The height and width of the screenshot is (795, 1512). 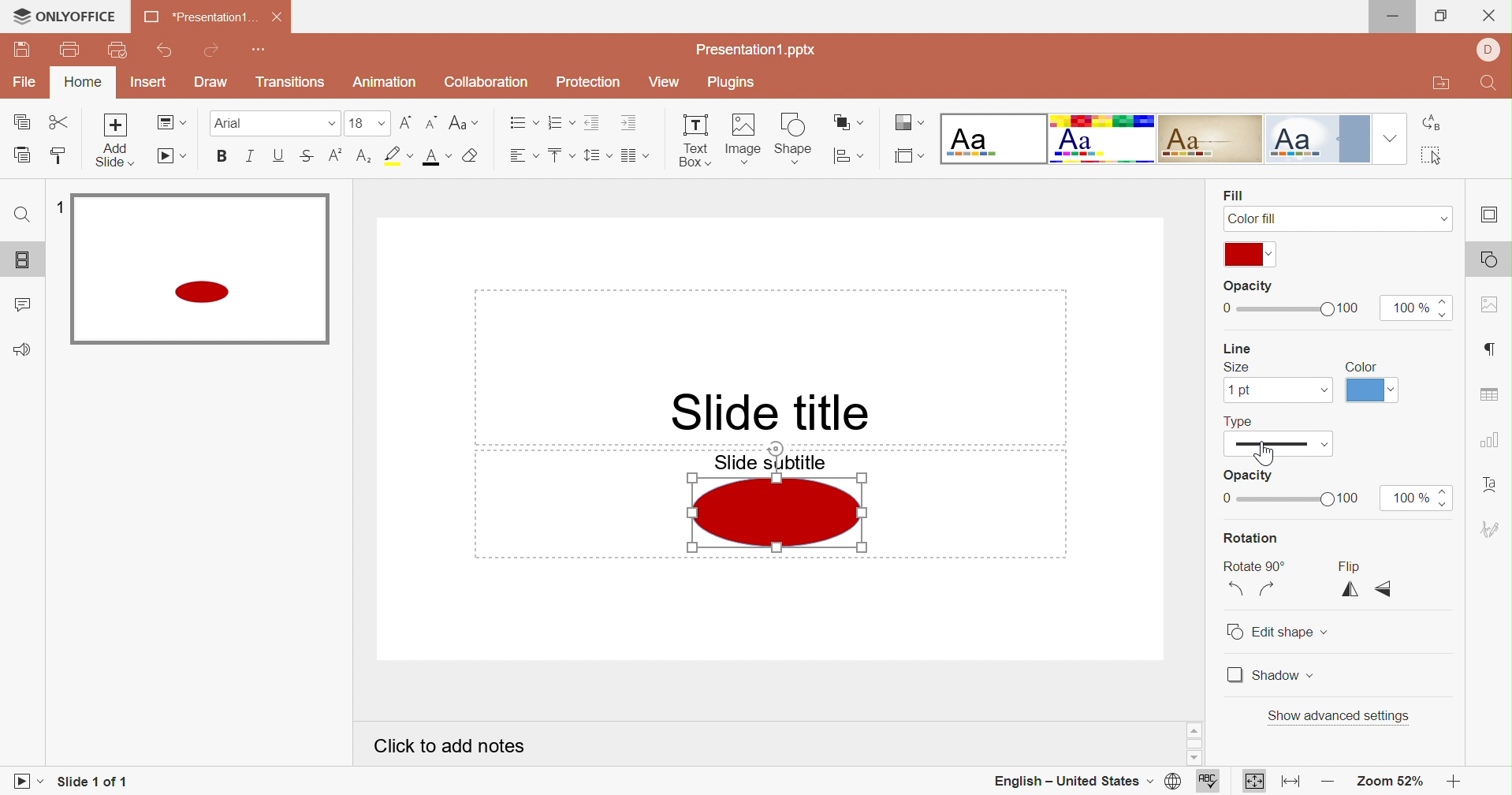 I want to click on Flip, so click(x=1349, y=567).